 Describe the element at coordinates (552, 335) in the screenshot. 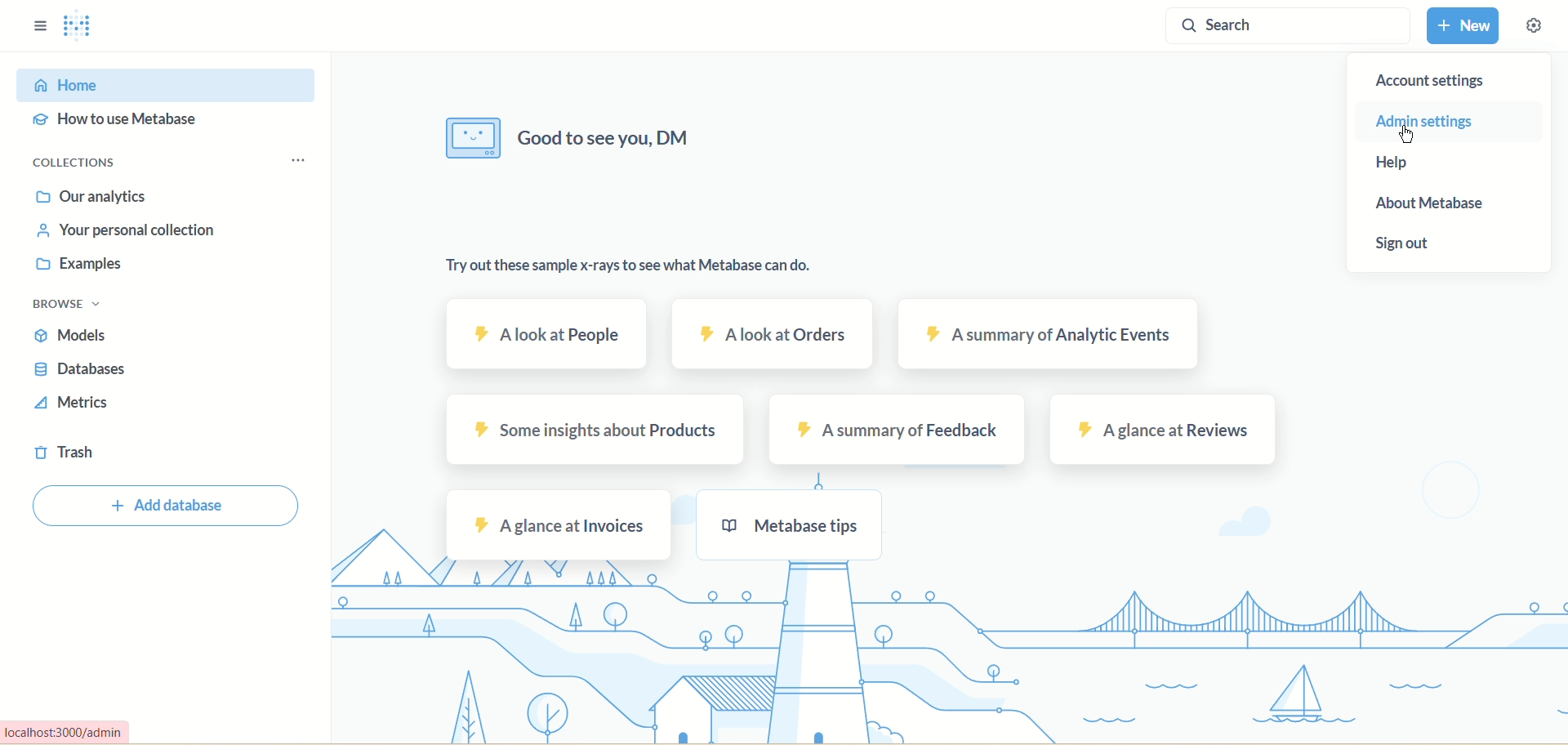

I see `A look at people` at that location.